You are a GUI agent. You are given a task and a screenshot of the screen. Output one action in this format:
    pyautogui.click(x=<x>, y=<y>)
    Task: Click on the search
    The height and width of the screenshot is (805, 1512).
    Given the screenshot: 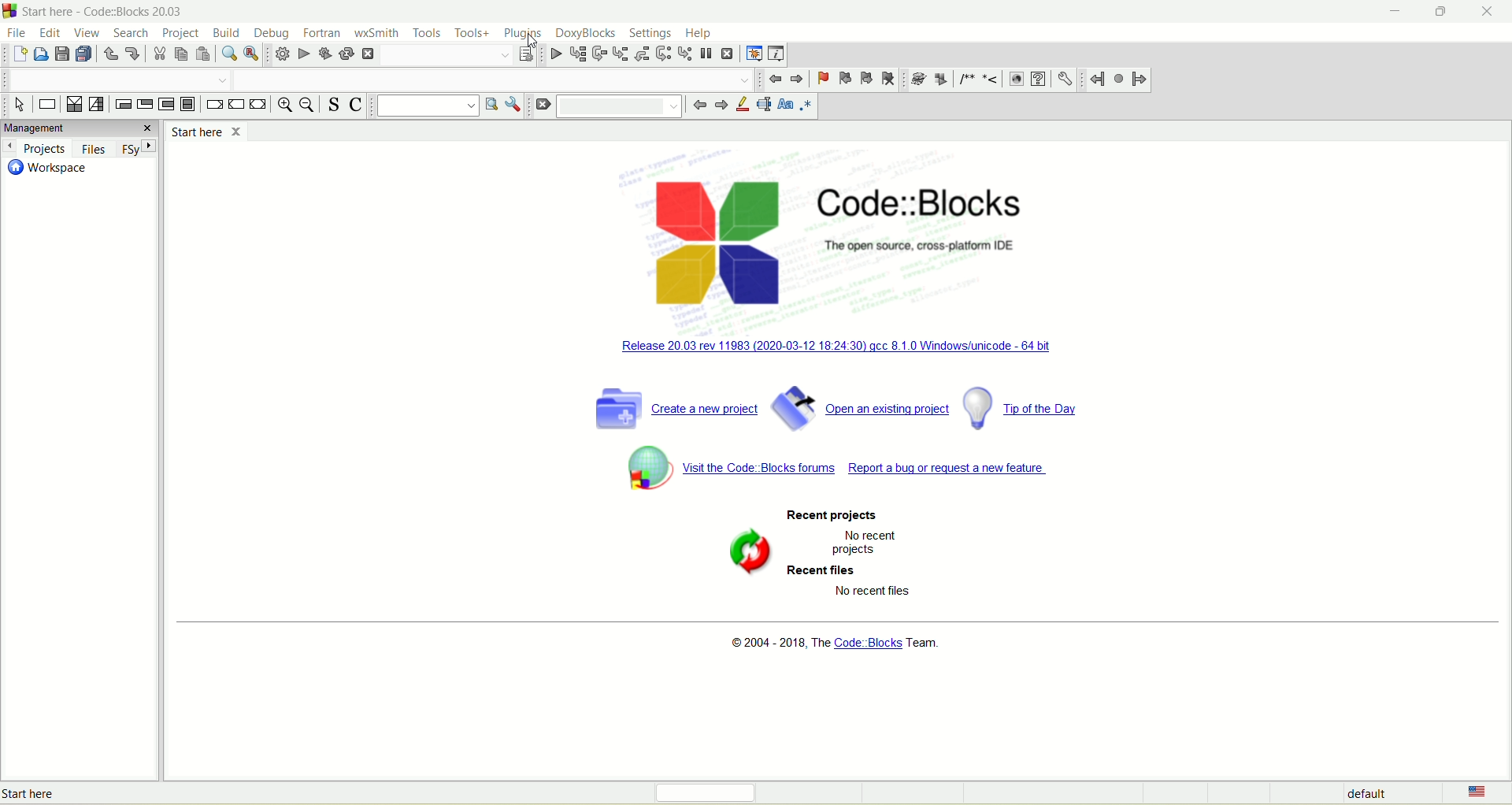 What is the action you would take?
    pyautogui.click(x=134, y=34)
    